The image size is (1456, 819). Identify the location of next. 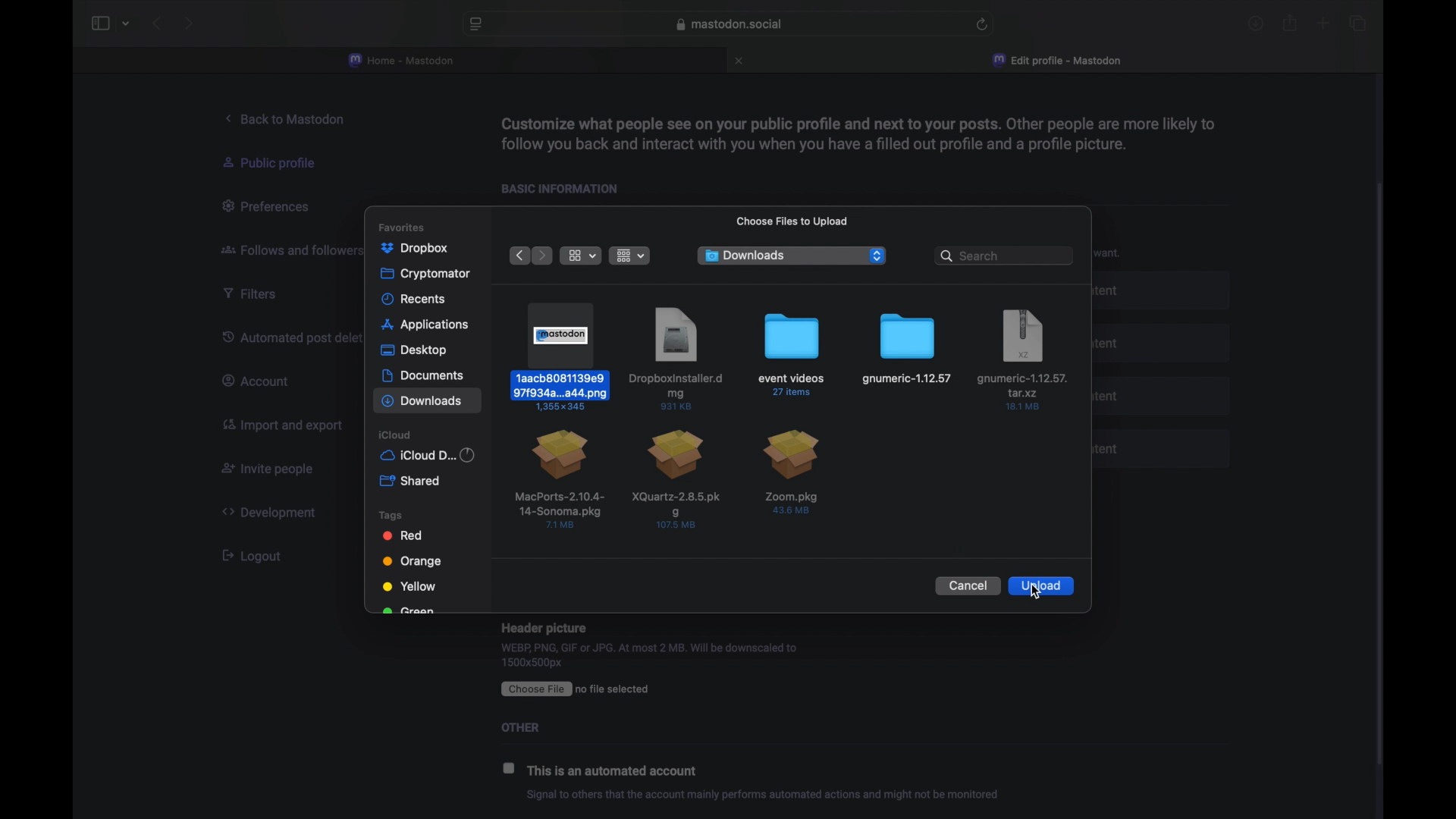
(543, 255).